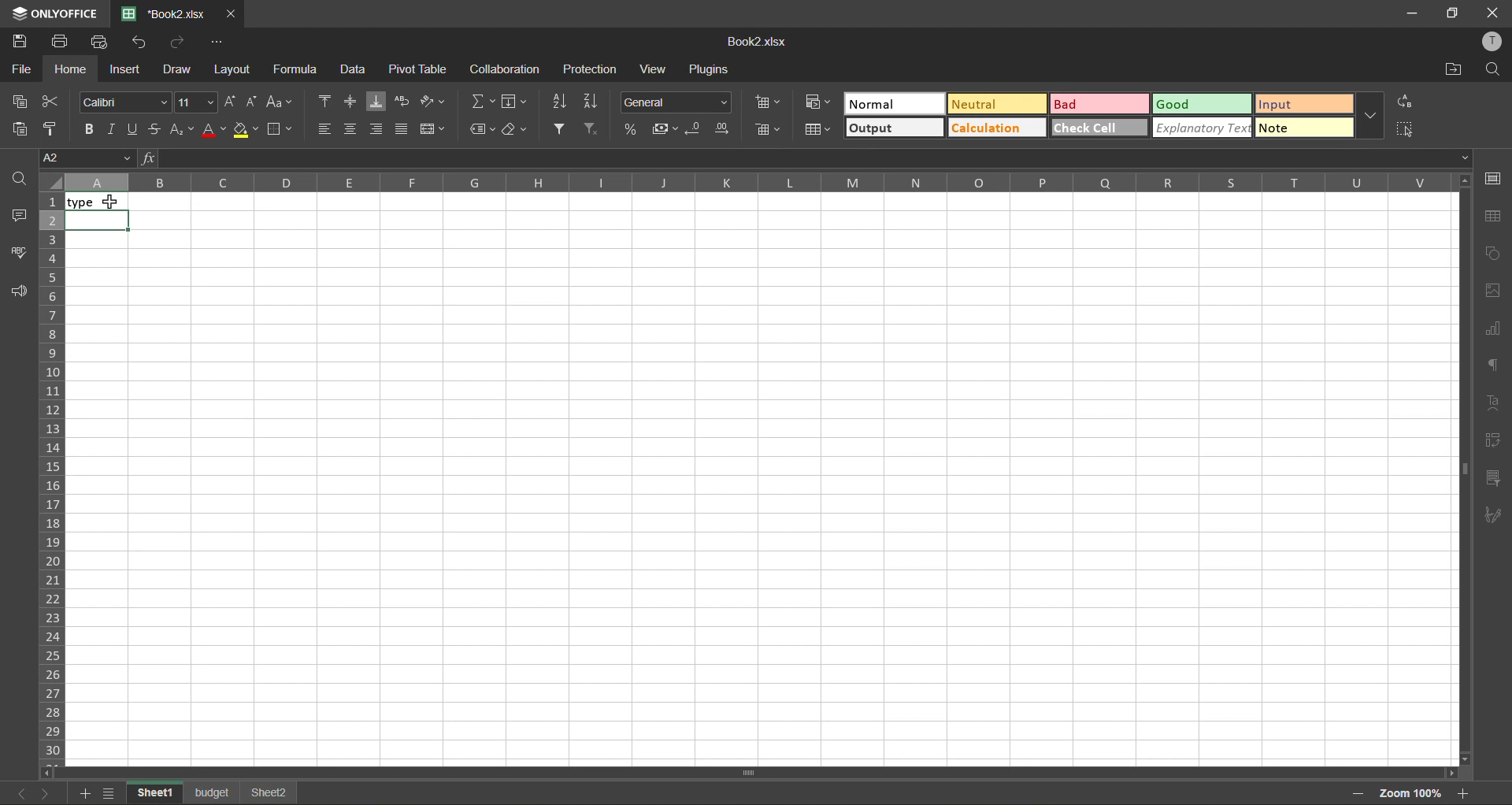 The width and height of the screenshot is (1512, 805). What do you see at coordinates (376, 128) in the screenshot?
I see `align right` at bounding box center [376, 128].